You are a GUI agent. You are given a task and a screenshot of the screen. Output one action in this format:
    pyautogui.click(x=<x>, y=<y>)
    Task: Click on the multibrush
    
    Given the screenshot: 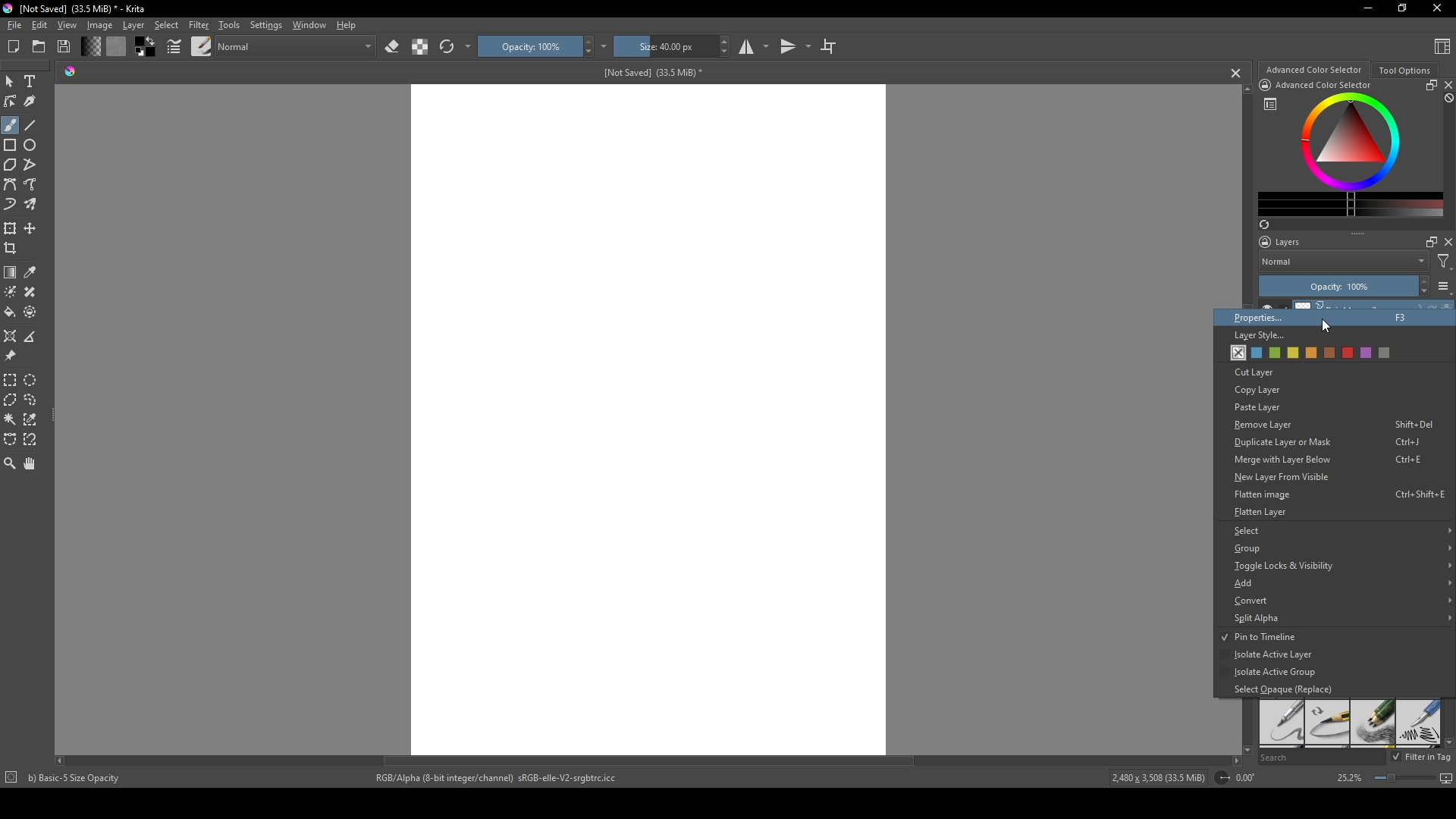 What is the action you would take?
    pyautogui.click(x=32, y=205)
    